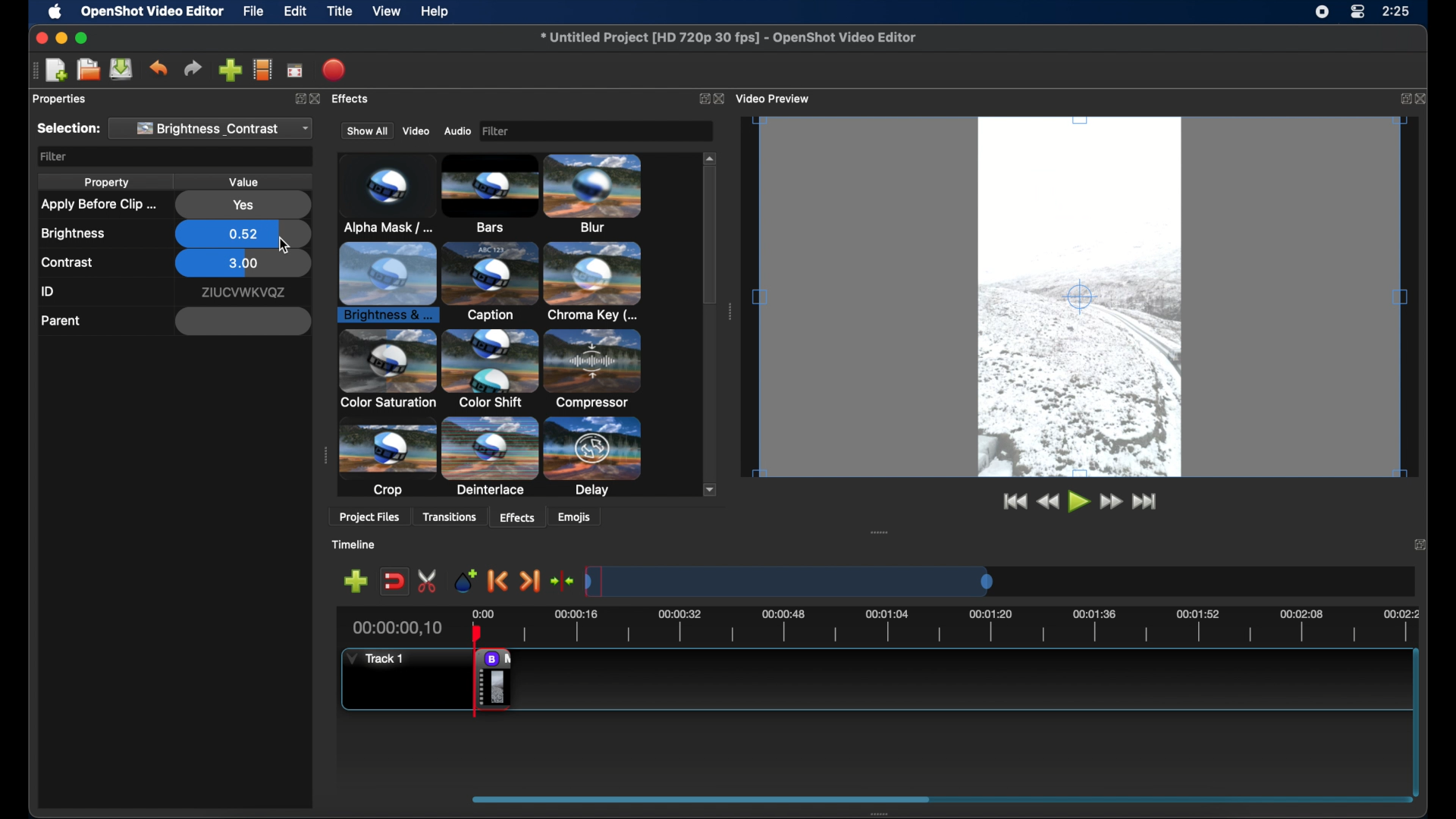 This screenshot has width=1456, height=819. Describe the element at coordinates (301, 100) in the screenshot. I see `expand` at that location.